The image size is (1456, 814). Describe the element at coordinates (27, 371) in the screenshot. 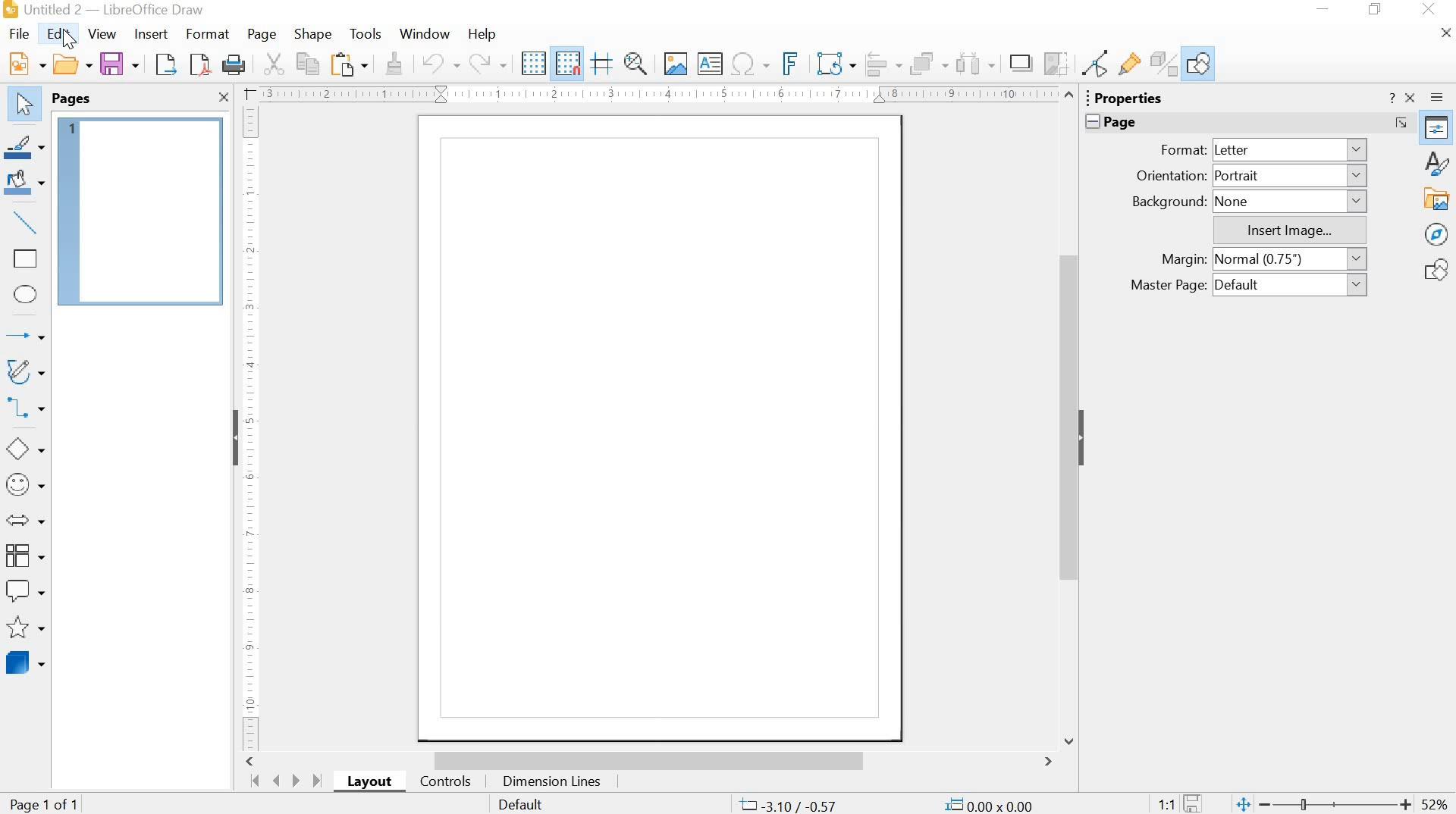

I see `Curves and Polygons (double click for multi-selection)` at that location.